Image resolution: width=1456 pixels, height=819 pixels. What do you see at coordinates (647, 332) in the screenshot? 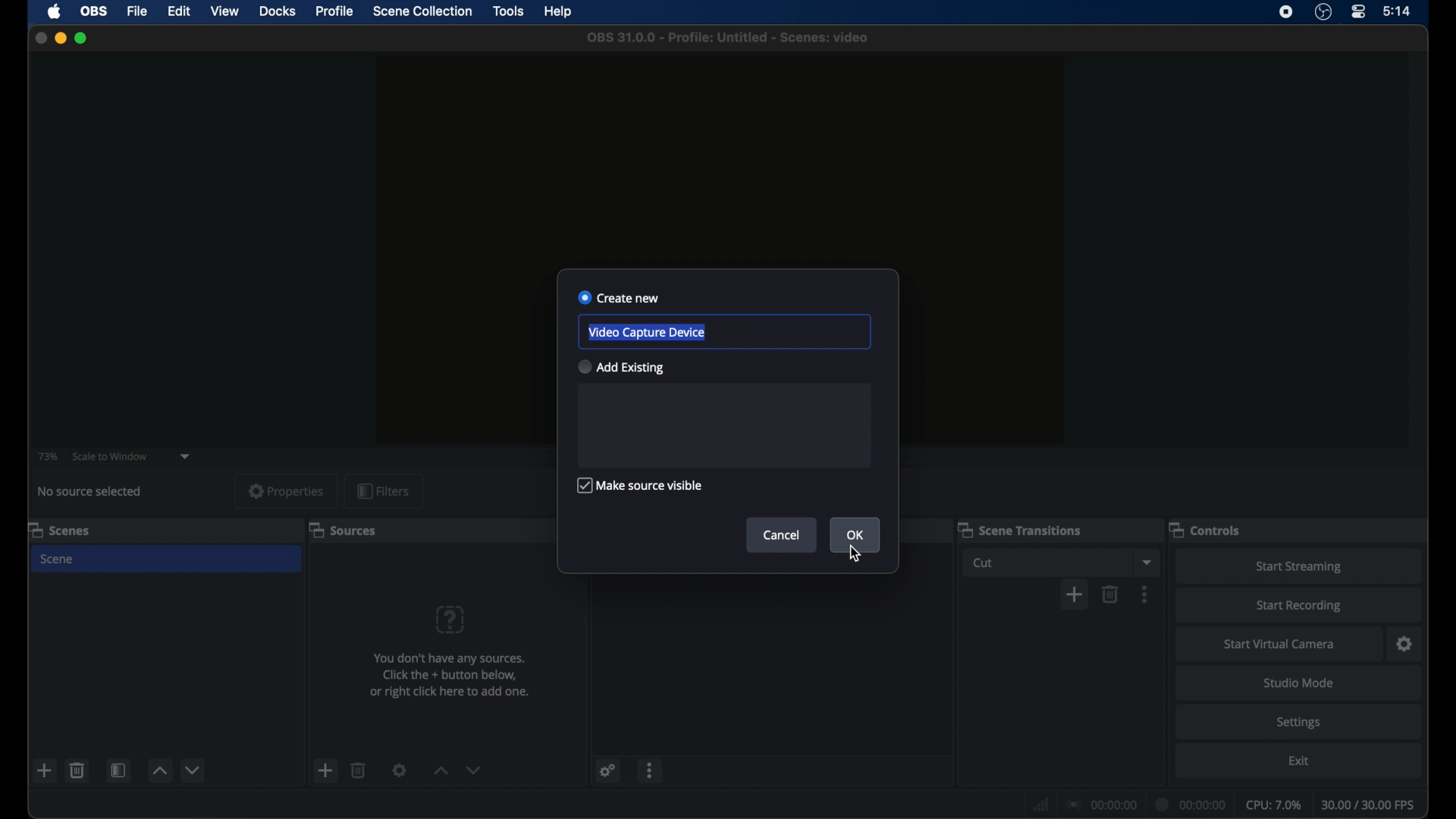
I see `video capture device` at bounding box center [647, 332].